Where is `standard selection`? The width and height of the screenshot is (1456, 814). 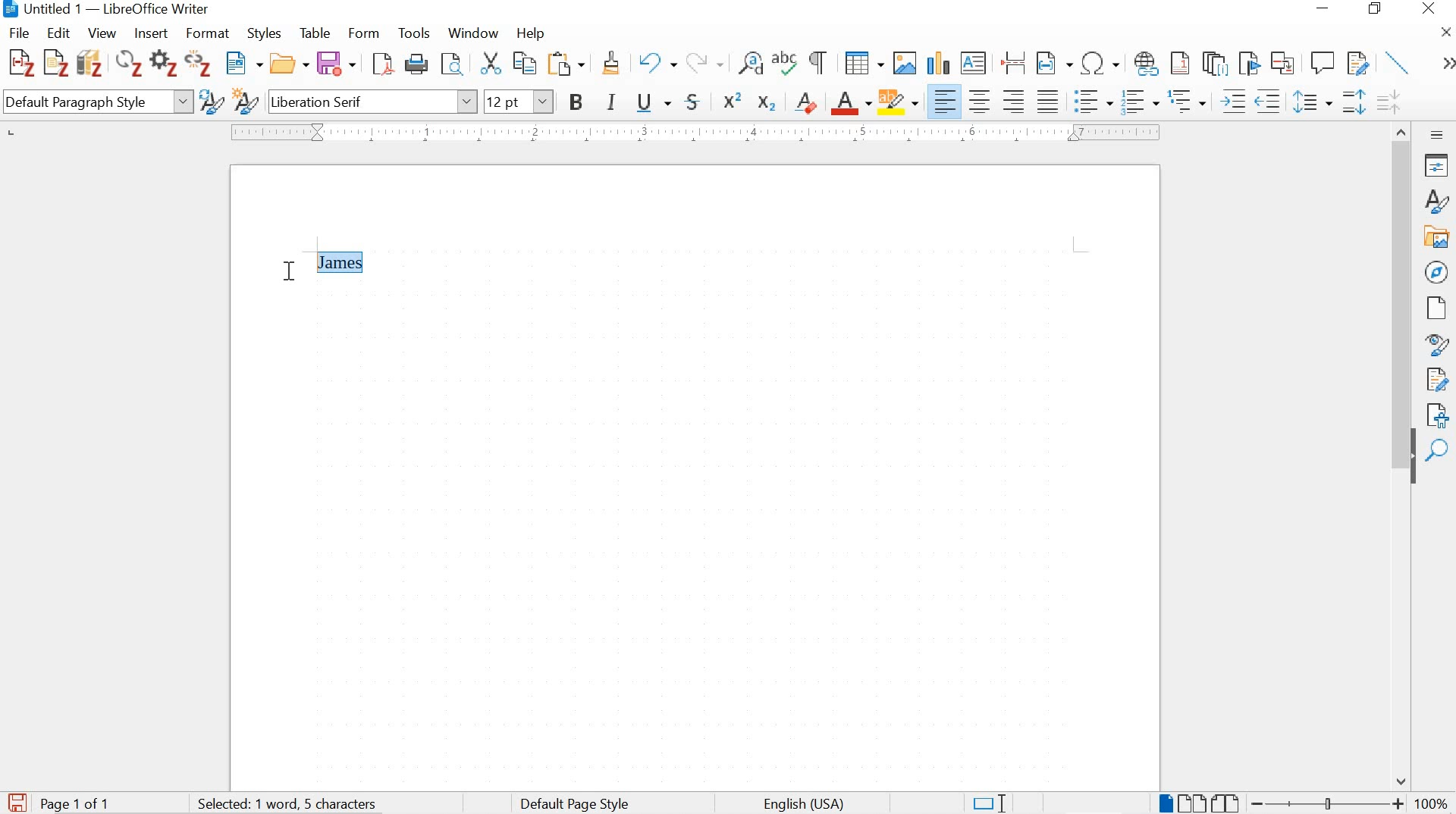
standard selection is located at coordinates (988, 802).